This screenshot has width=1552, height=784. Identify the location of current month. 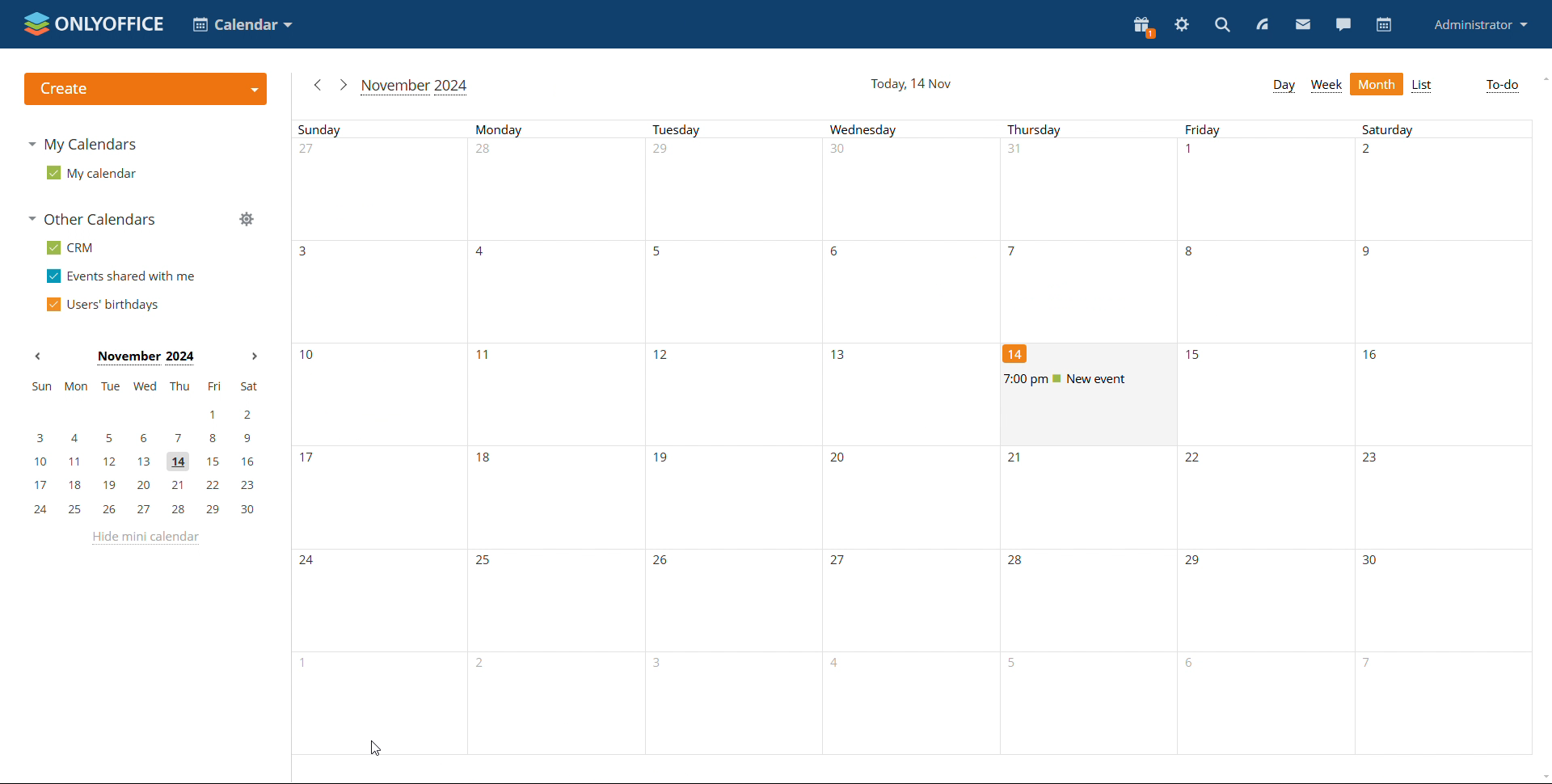
(414, 87).